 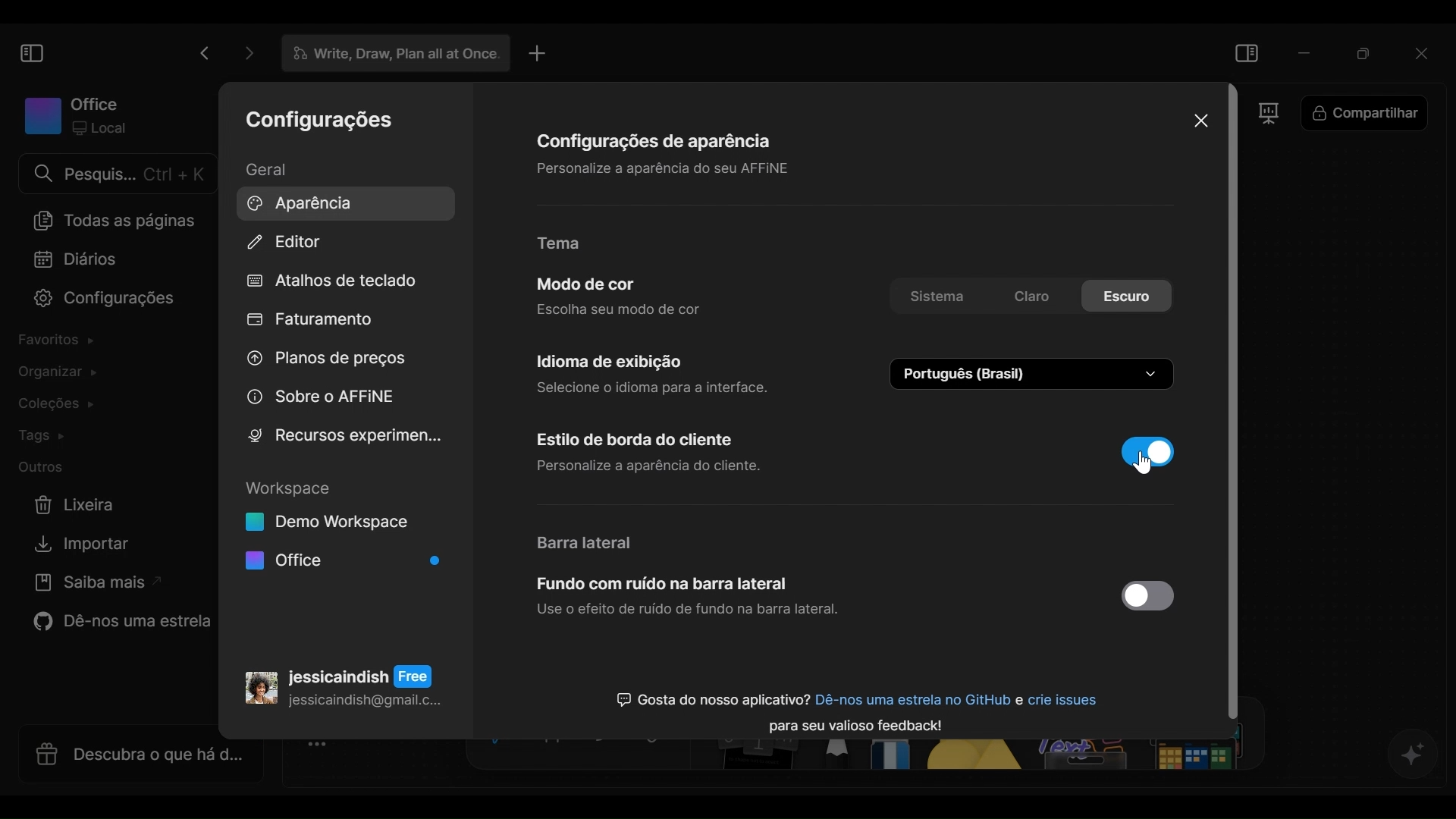 What do you see at coordinates (311, 322) in the screenshot?
I see `Billing` at bounding box center [311, 322].